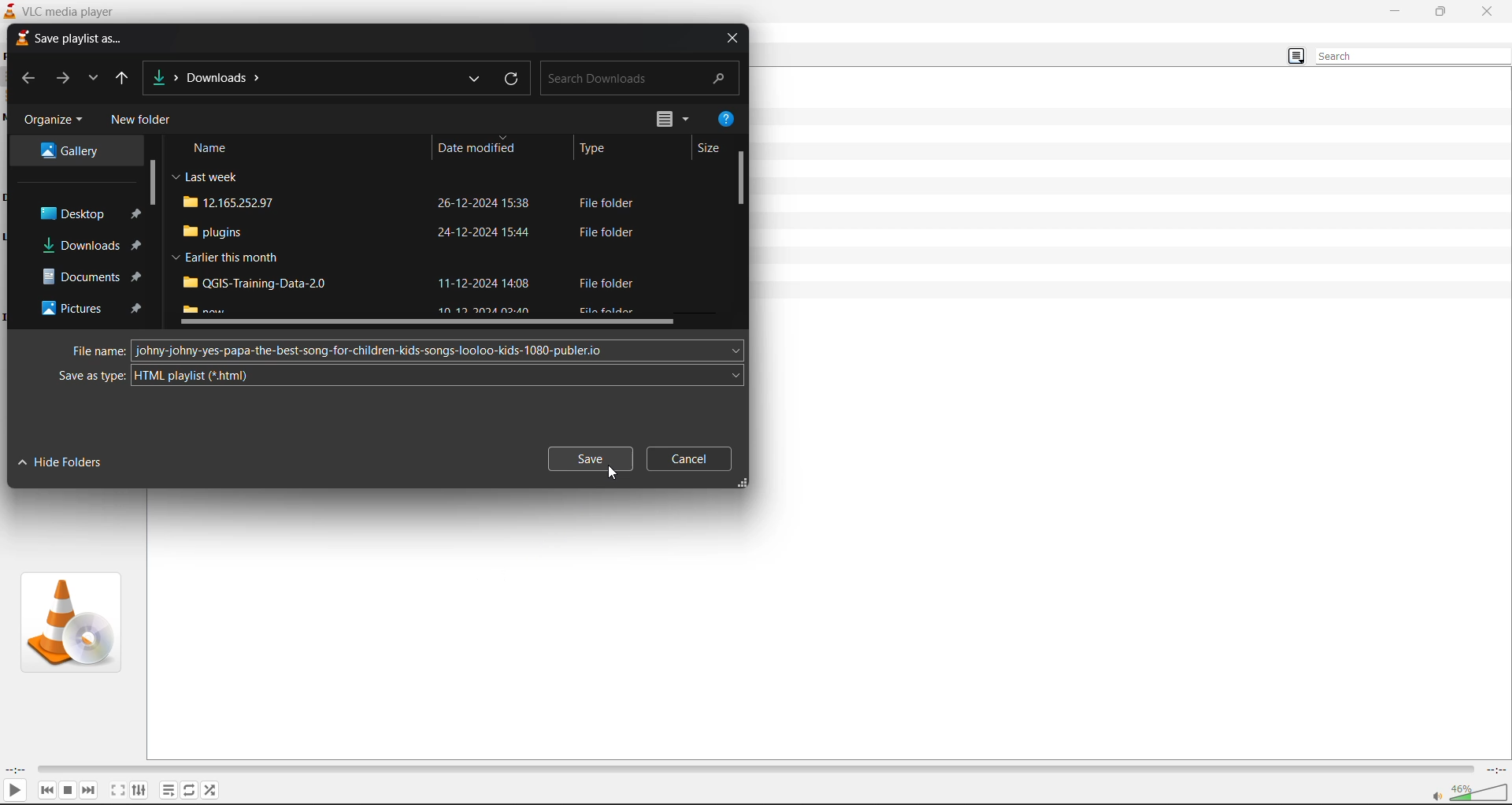 Image resolution: width=1512 pixels, height=805 pixels. I want to click on save playlist as, so click(67, 39).